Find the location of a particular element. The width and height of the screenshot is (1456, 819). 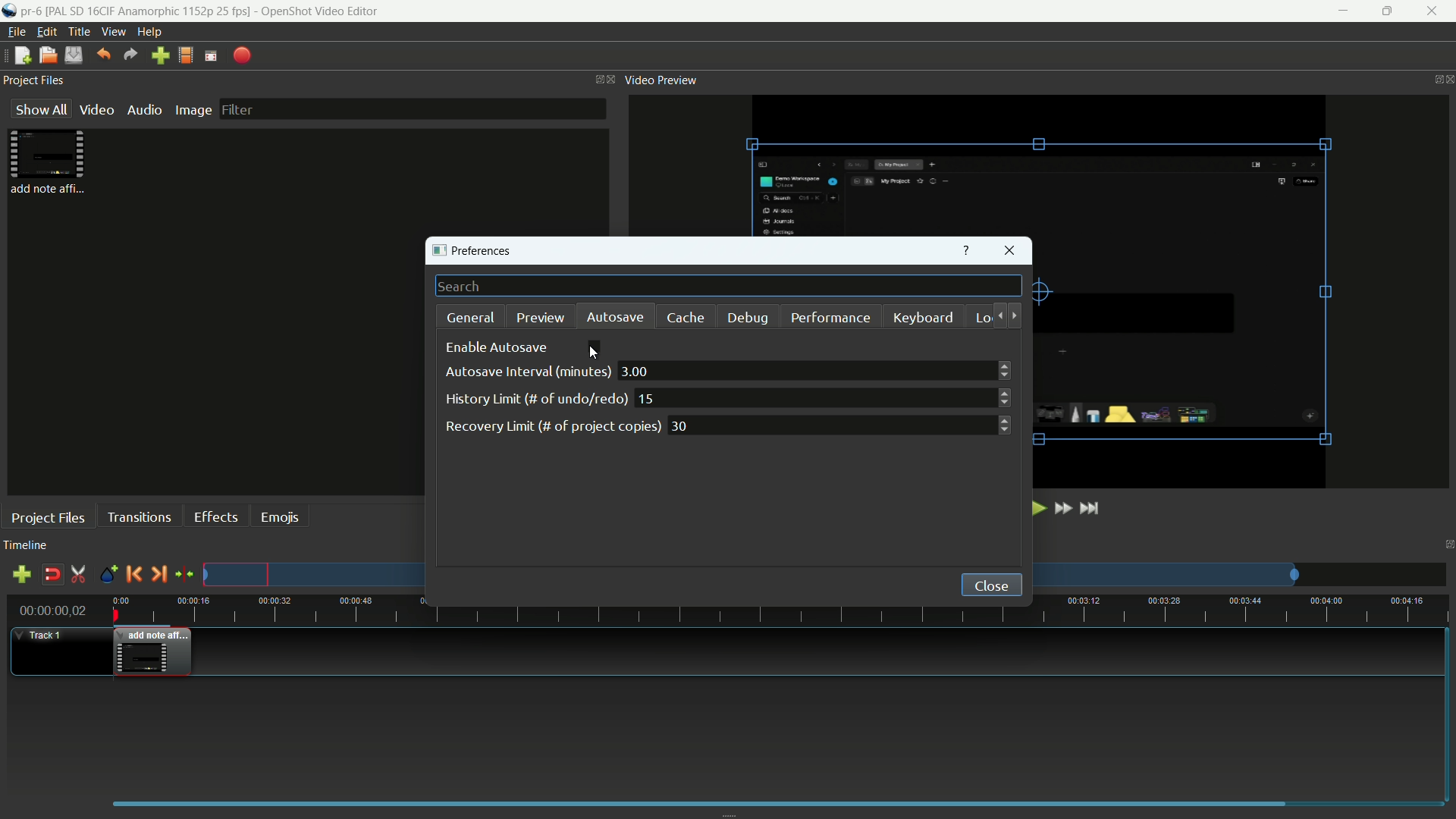

profile is located at coordinates (186, 55).